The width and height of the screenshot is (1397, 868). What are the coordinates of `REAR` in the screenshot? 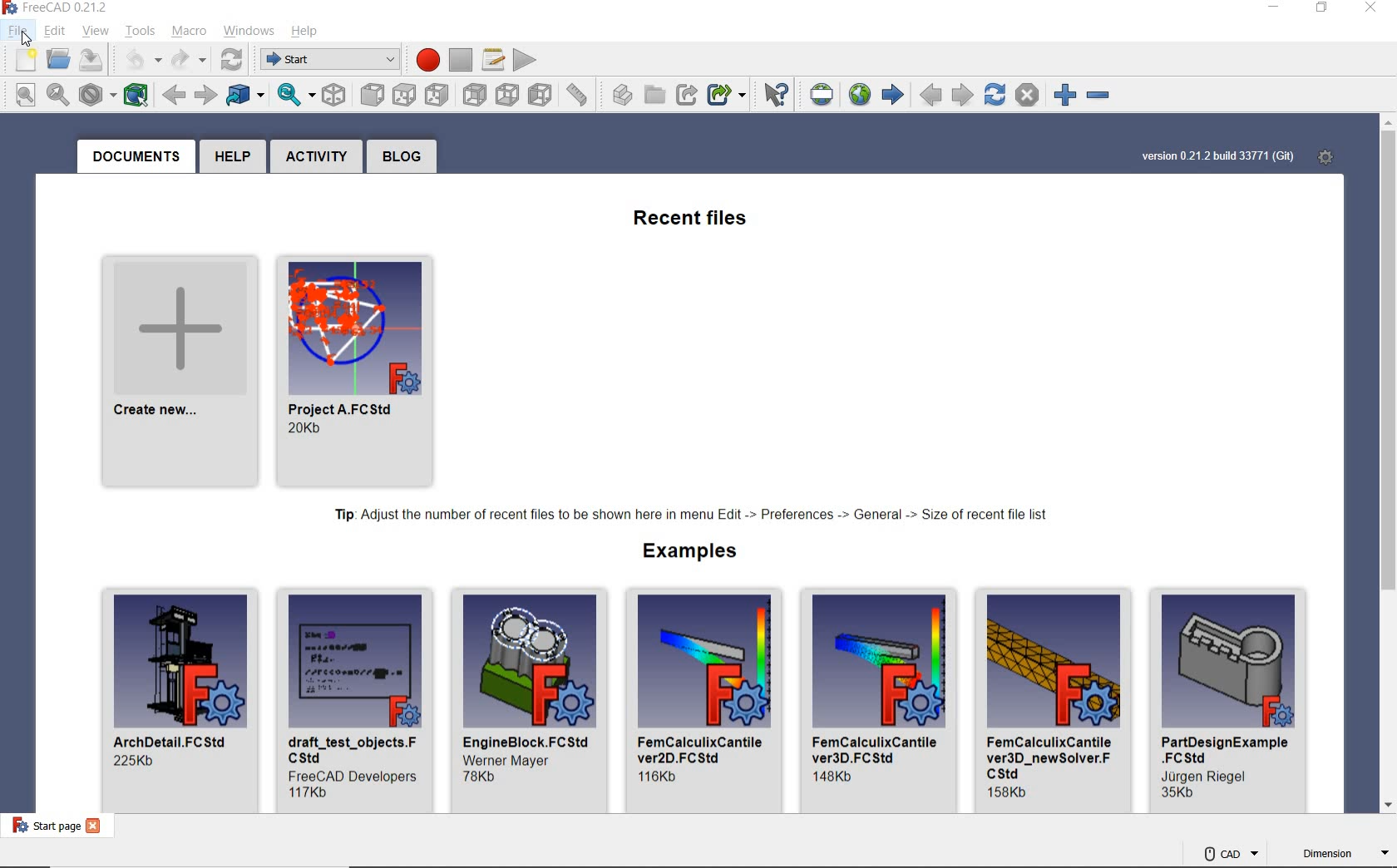 It's located at (475, 96).